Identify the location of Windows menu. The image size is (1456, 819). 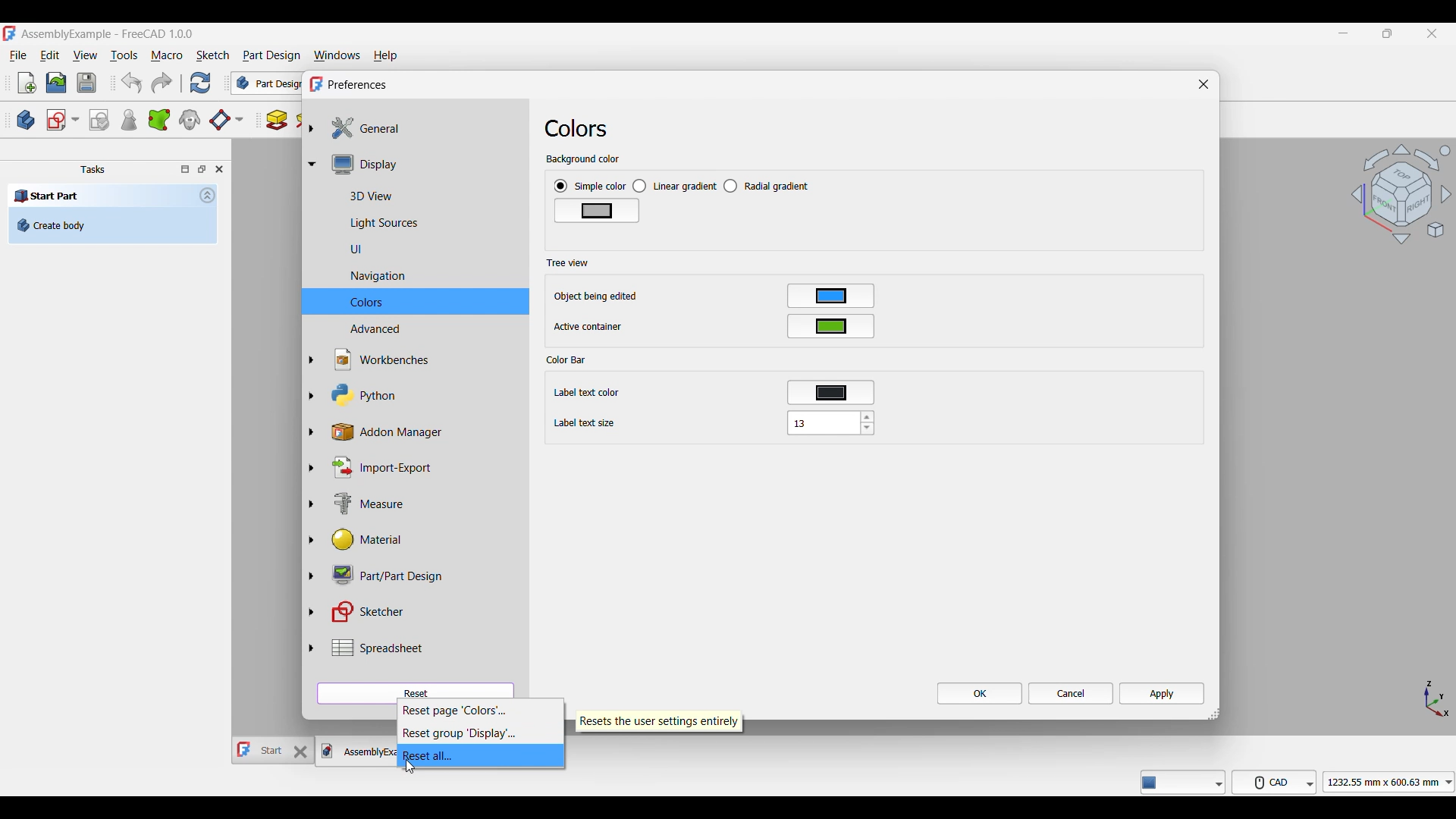
(337, 56).